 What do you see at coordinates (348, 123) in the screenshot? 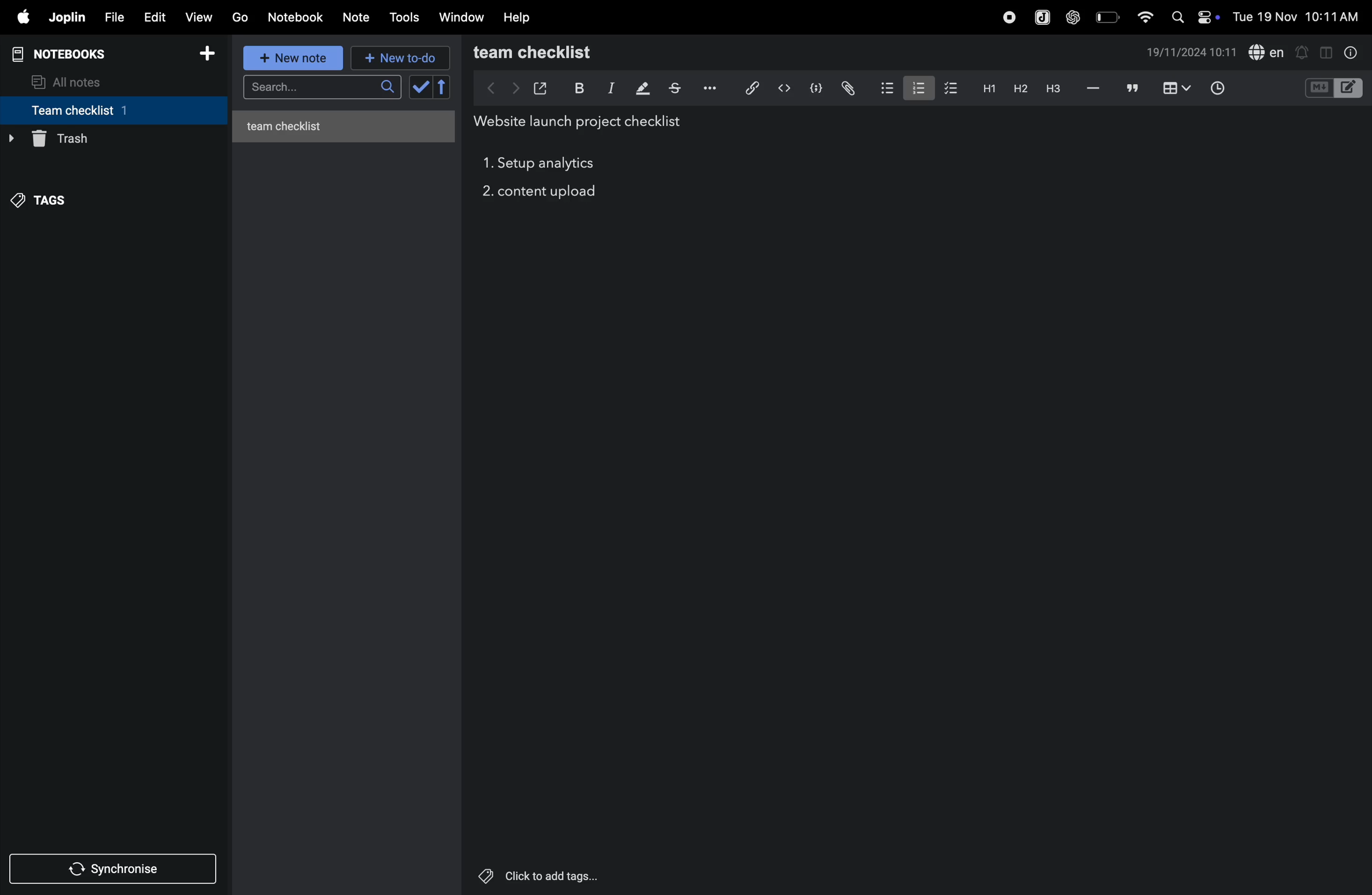
I see `untitled` at bounding box center [348, 123].